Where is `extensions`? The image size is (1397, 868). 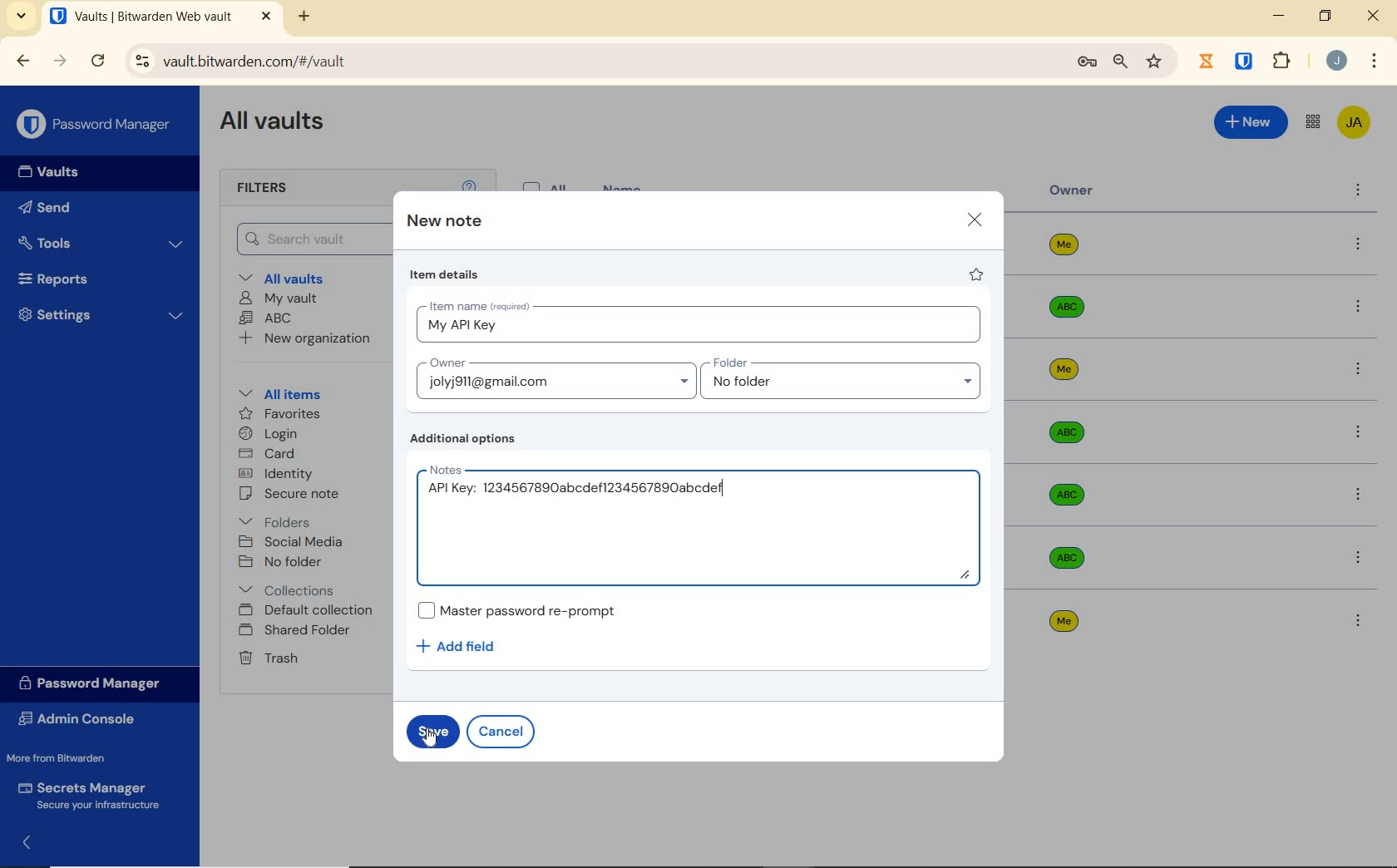
extensions is located at coordinates (1284, 60).